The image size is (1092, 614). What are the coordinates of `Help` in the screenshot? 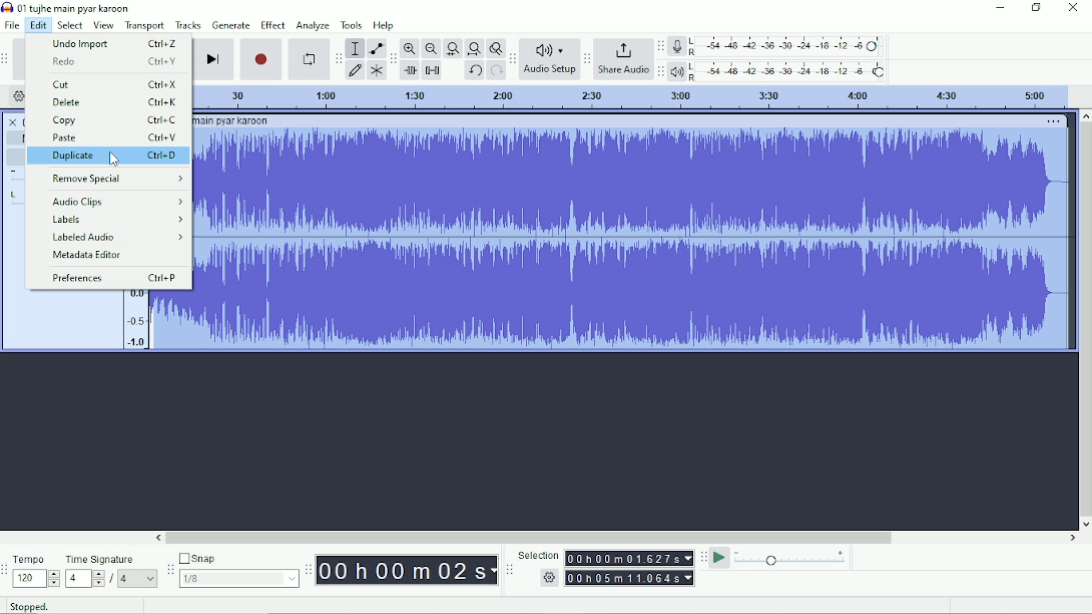 It's located at (385, 25).